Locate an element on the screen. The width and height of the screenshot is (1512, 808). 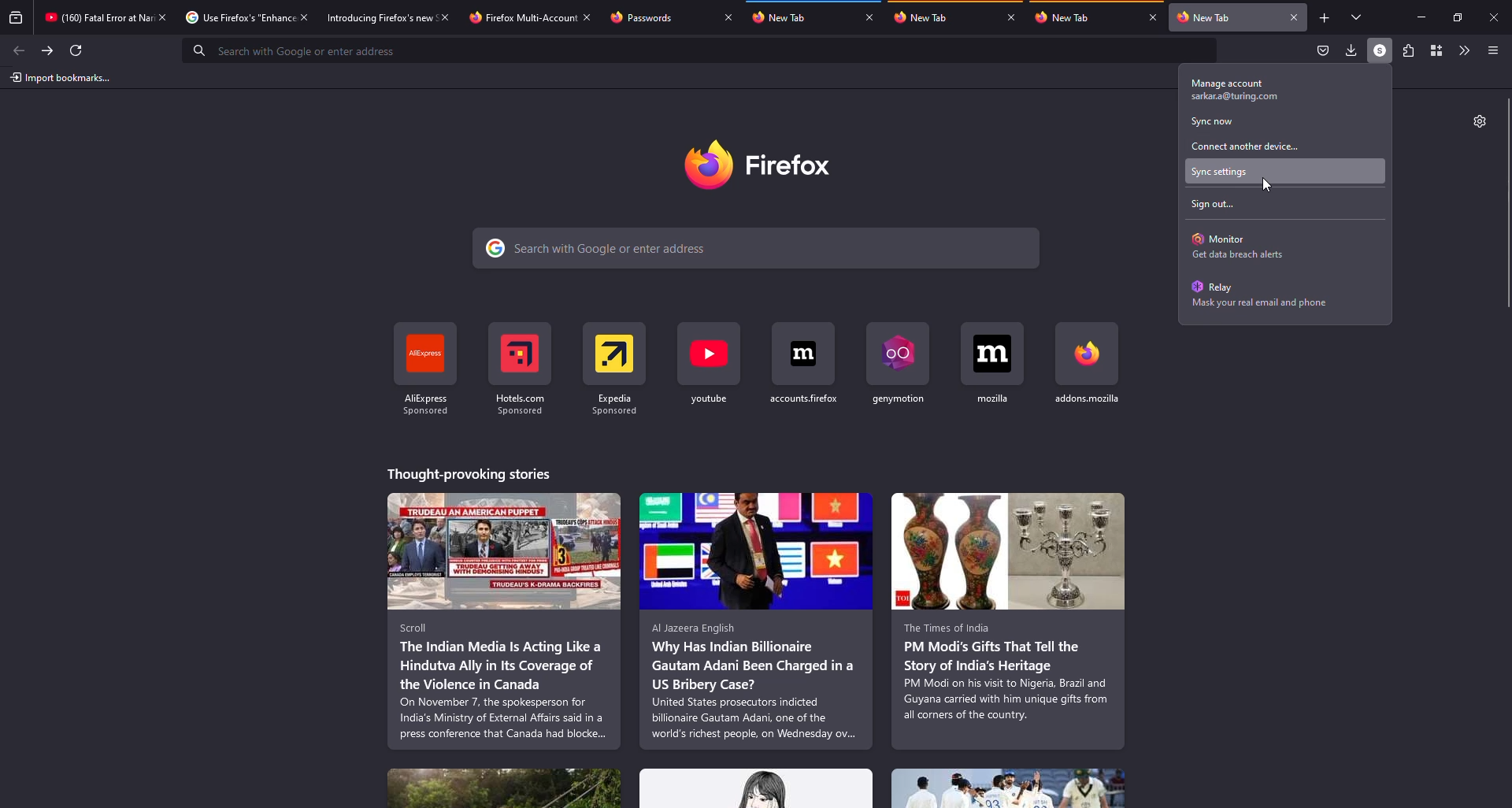
shortcut is located at coordinates (900, 363).